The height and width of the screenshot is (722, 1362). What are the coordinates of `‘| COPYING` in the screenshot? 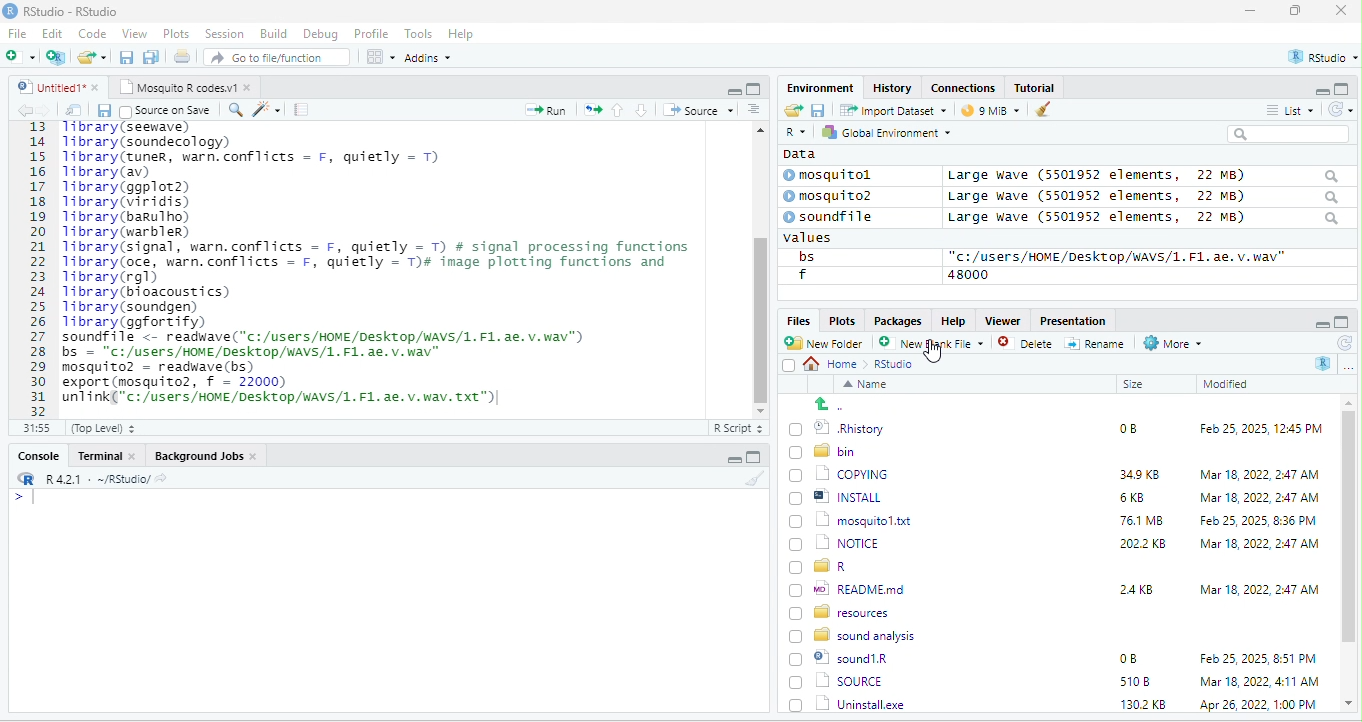 It's located at (839, 473).